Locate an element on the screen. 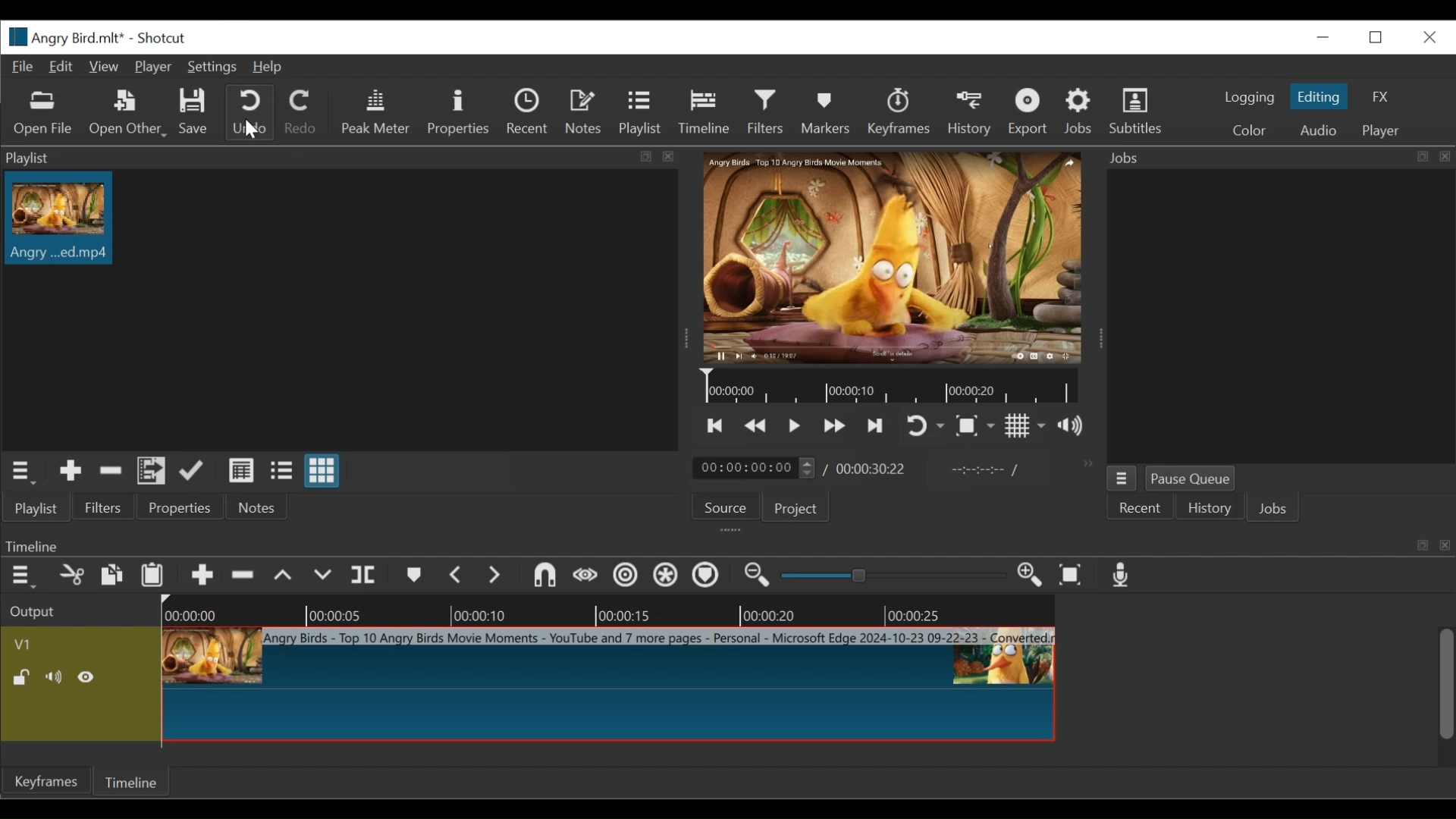  Jobs Panel is located at coordinates (1275, 158).